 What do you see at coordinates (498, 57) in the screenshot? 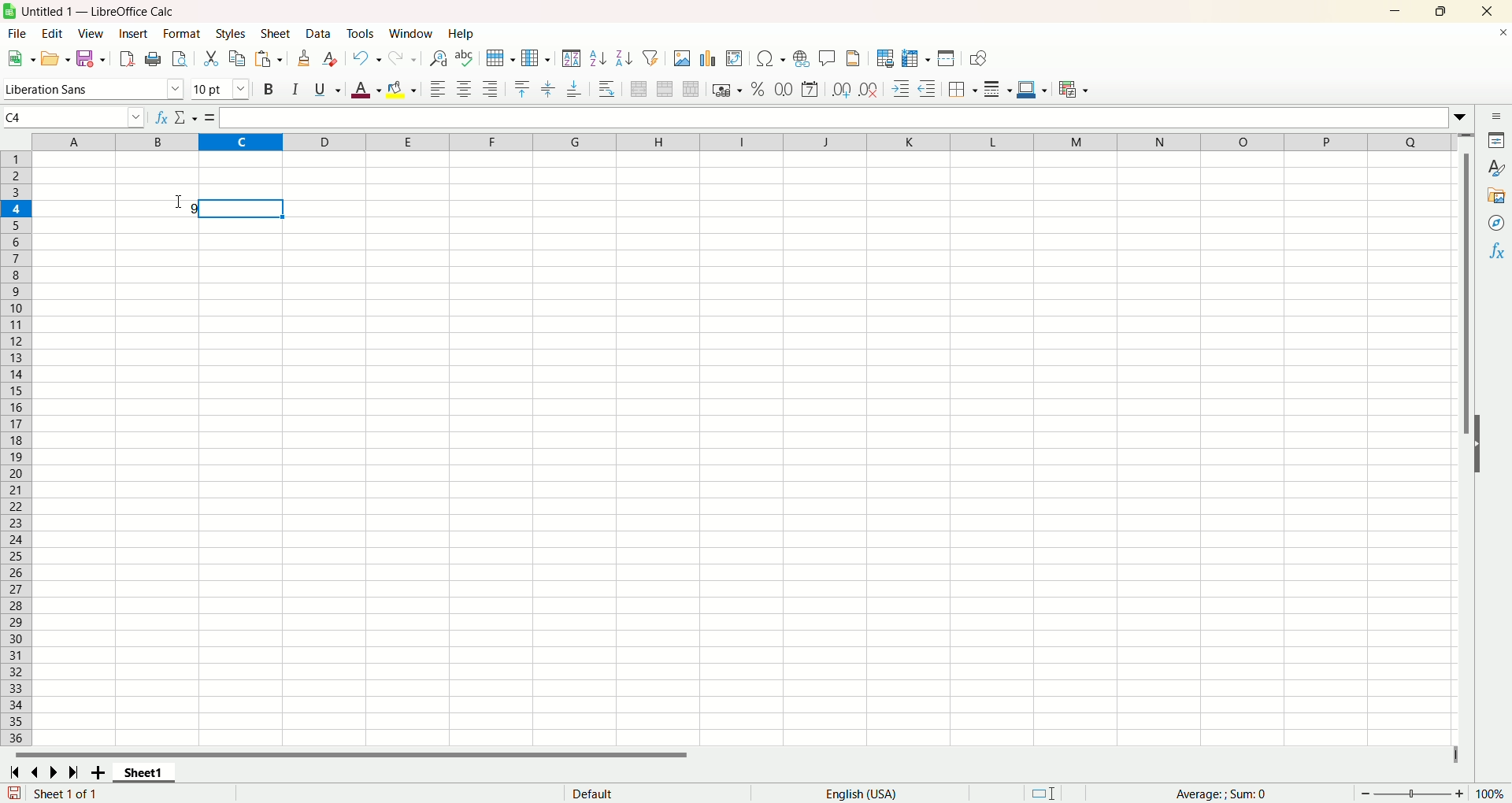
I see `row` at bounding box center [498, 57].